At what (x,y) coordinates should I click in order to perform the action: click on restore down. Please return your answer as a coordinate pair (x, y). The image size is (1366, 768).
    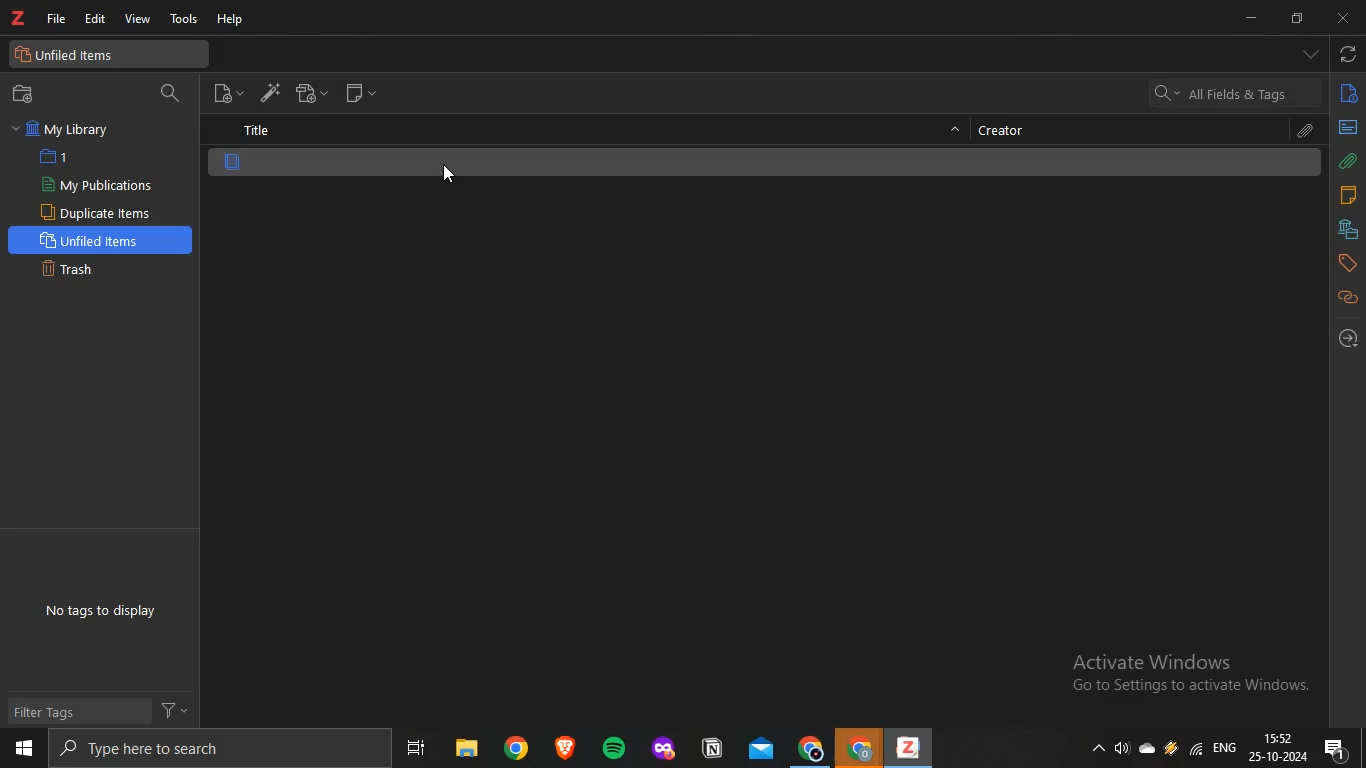
    Looking at the image, I should click on (1297, 20).